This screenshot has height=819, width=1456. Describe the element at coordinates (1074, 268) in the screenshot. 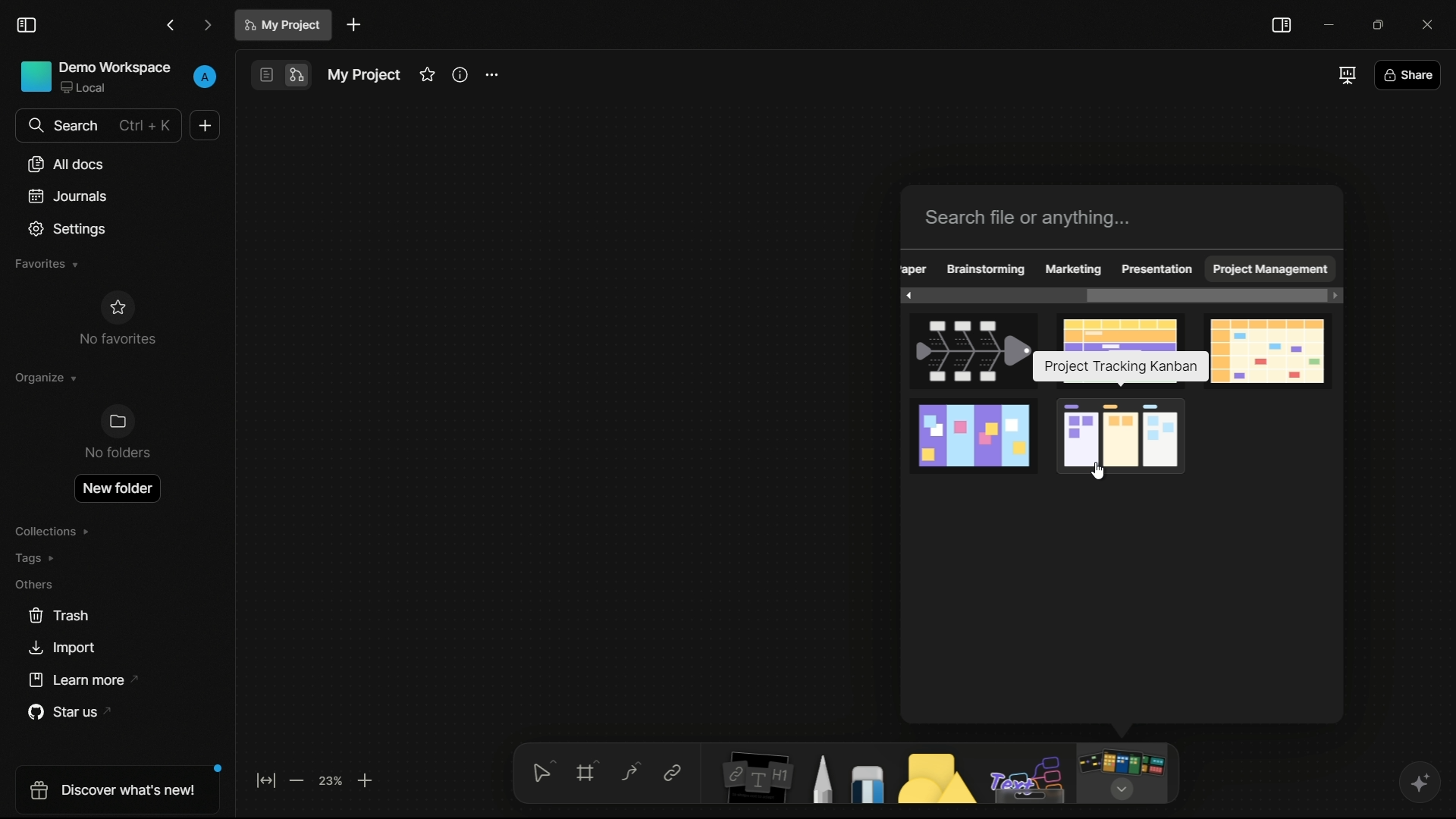

I see `marketing` at that location.